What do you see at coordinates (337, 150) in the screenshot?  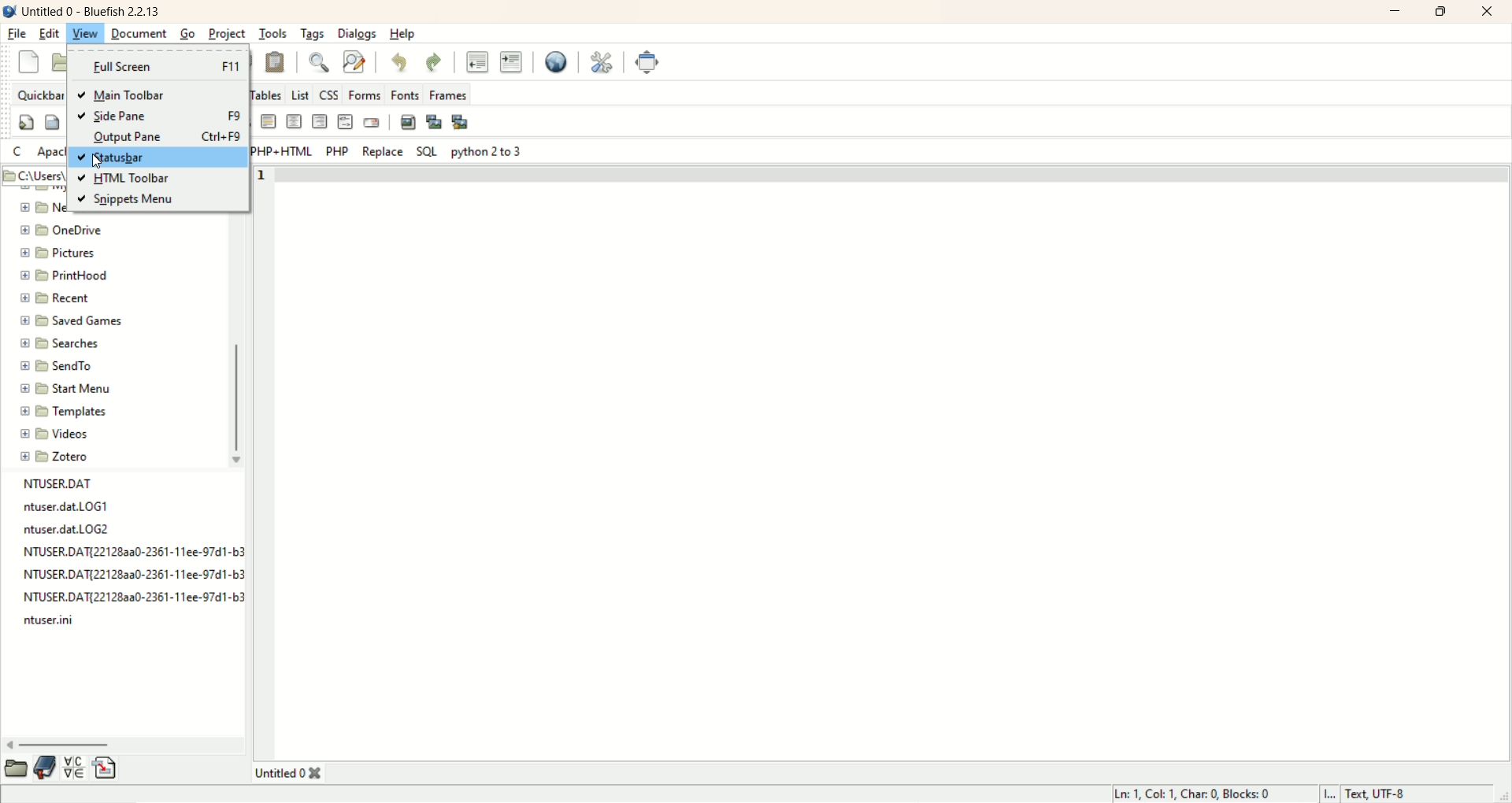 I see `PHP` at bounding box center [337, 150].